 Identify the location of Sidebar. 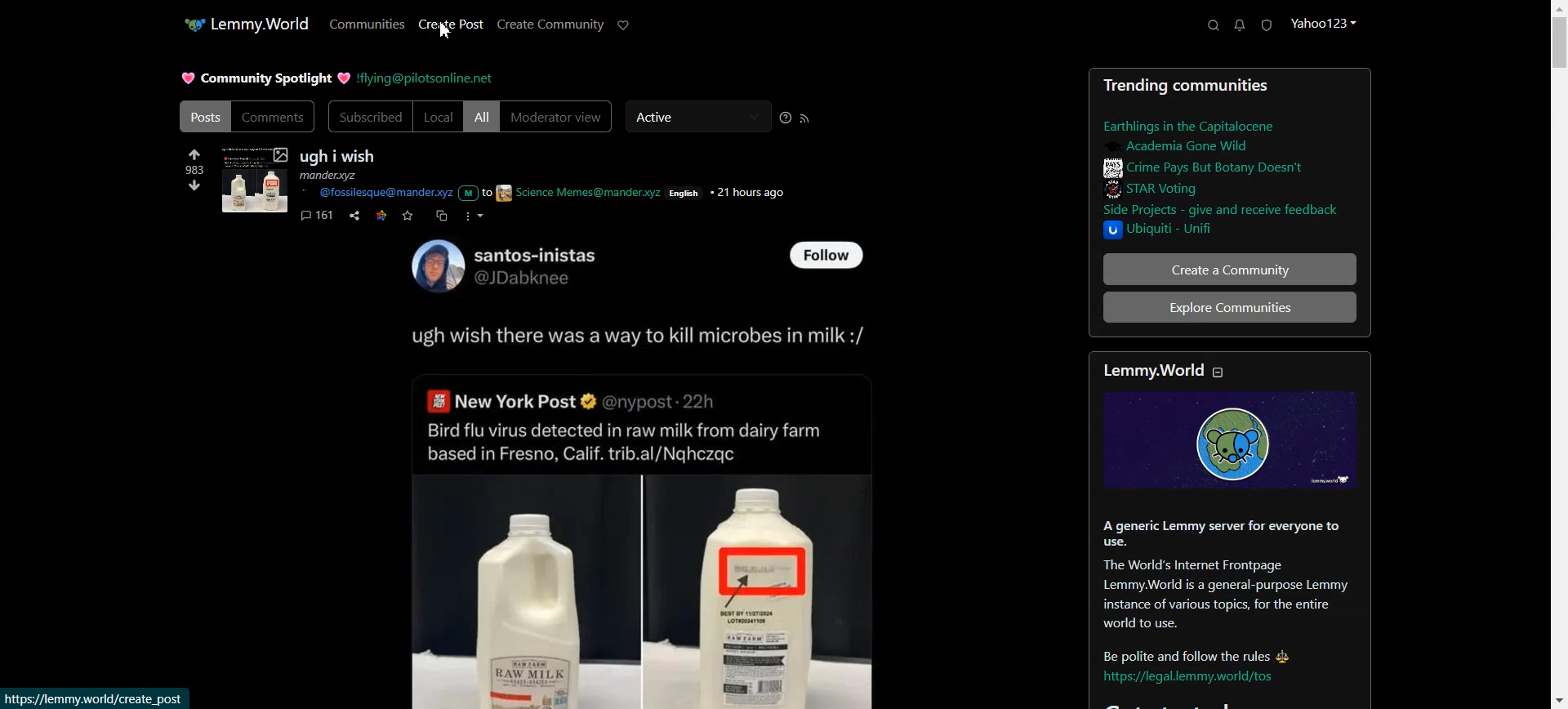
(1231, 157).